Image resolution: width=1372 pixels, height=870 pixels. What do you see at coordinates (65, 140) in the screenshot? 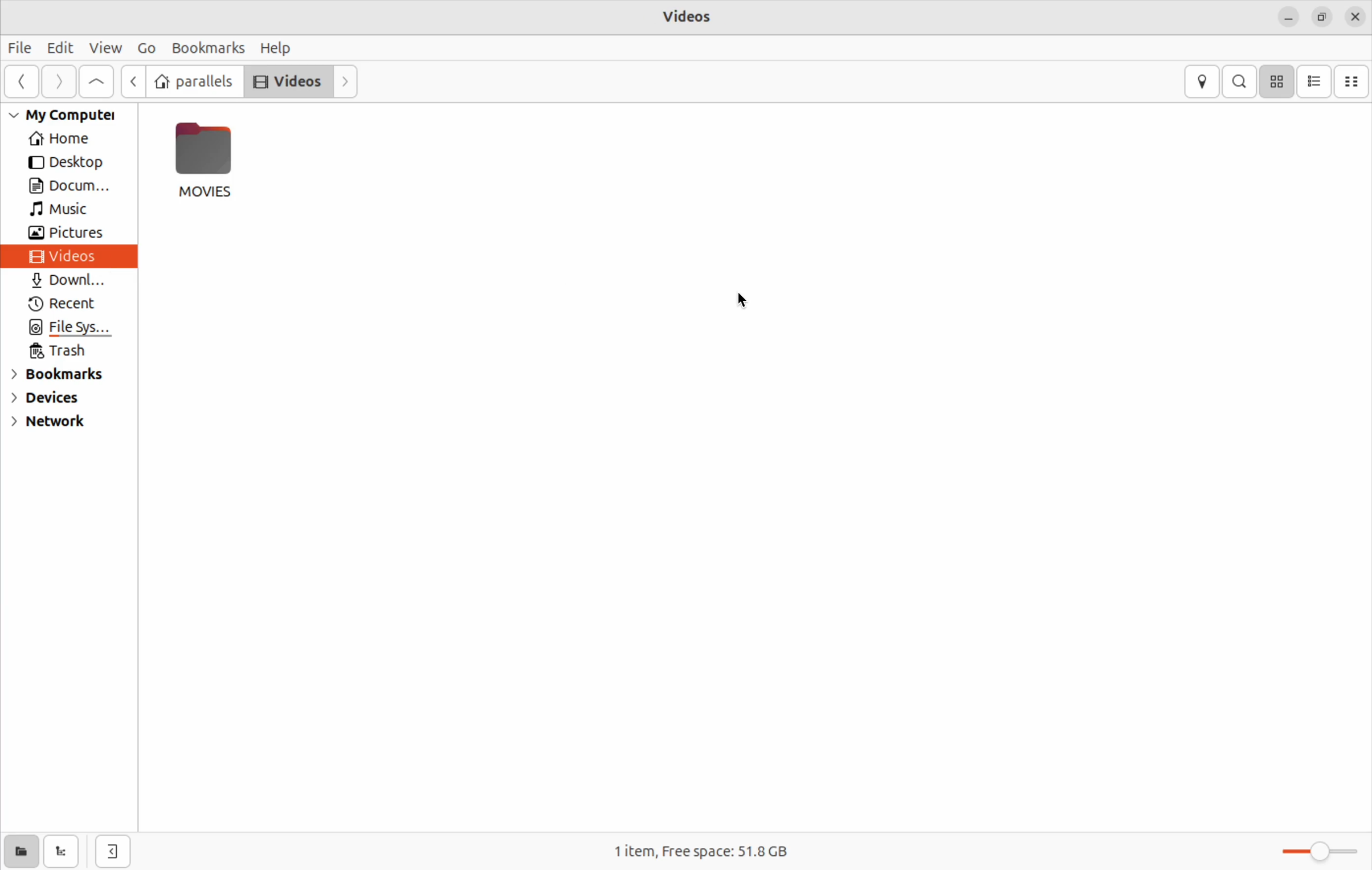
I see `Home` at bounding box center [65, 140].